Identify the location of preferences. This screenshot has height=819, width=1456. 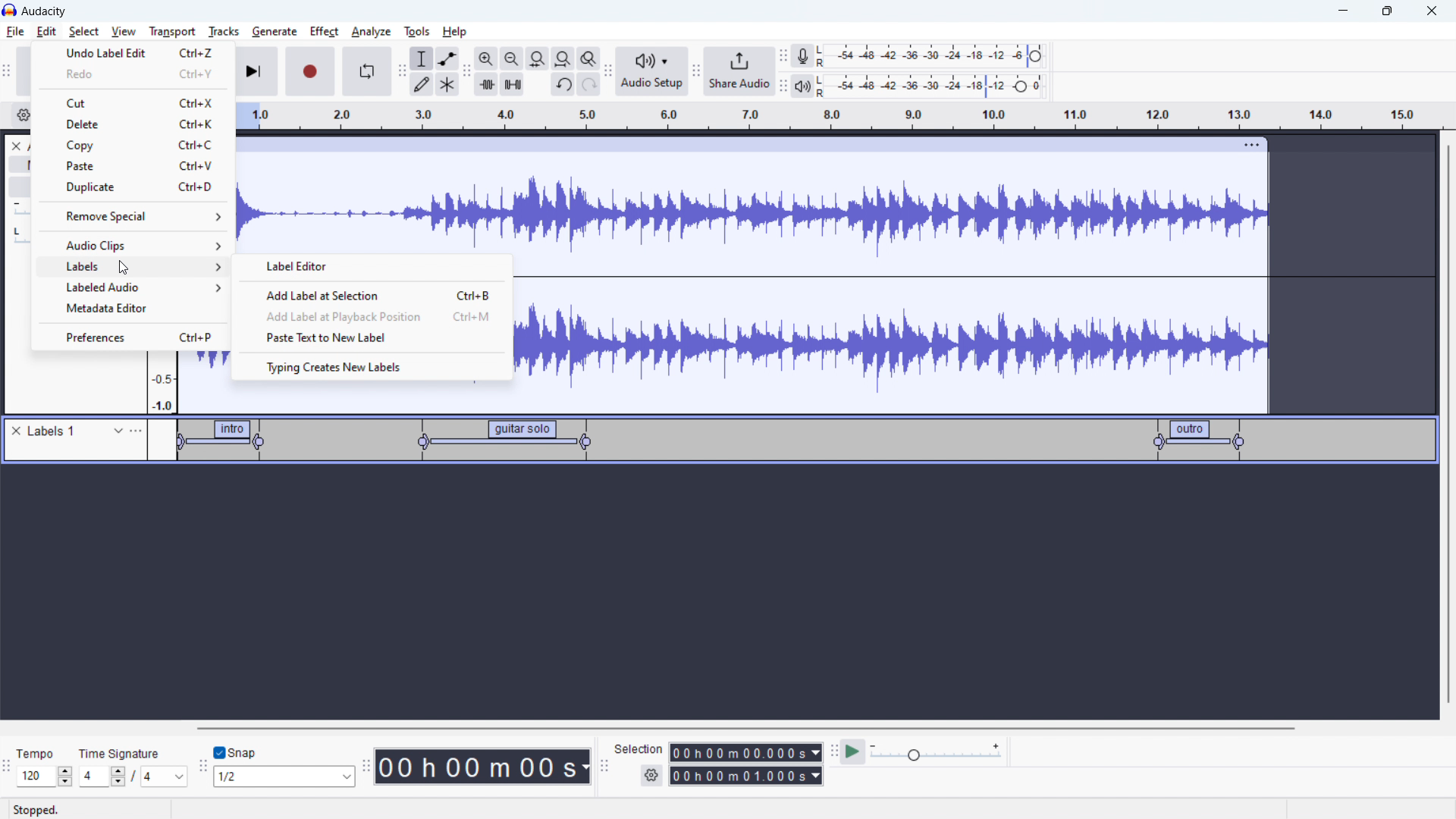
(132, 338).